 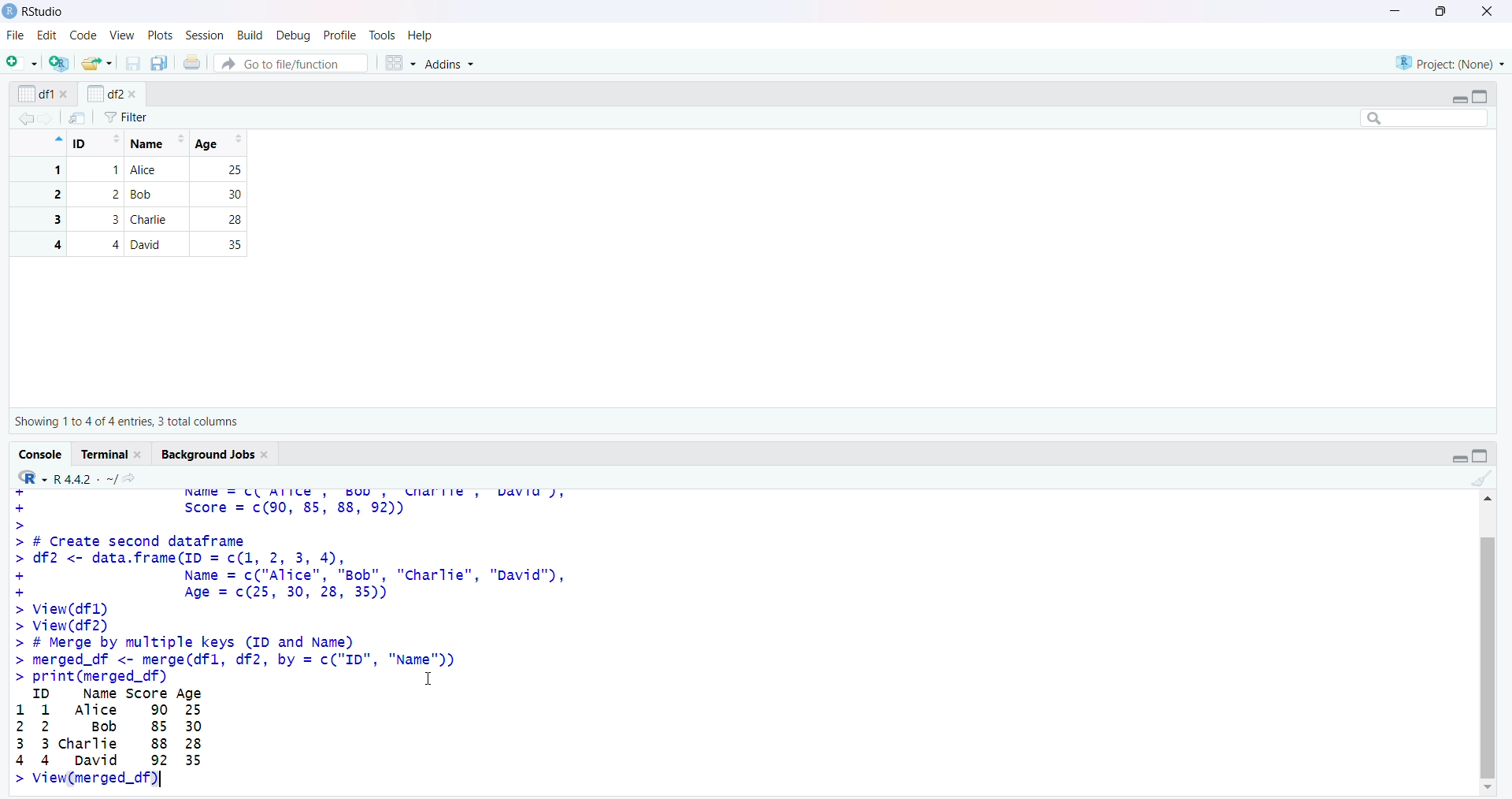 I want to click on profile, so click(x=339, y=35).